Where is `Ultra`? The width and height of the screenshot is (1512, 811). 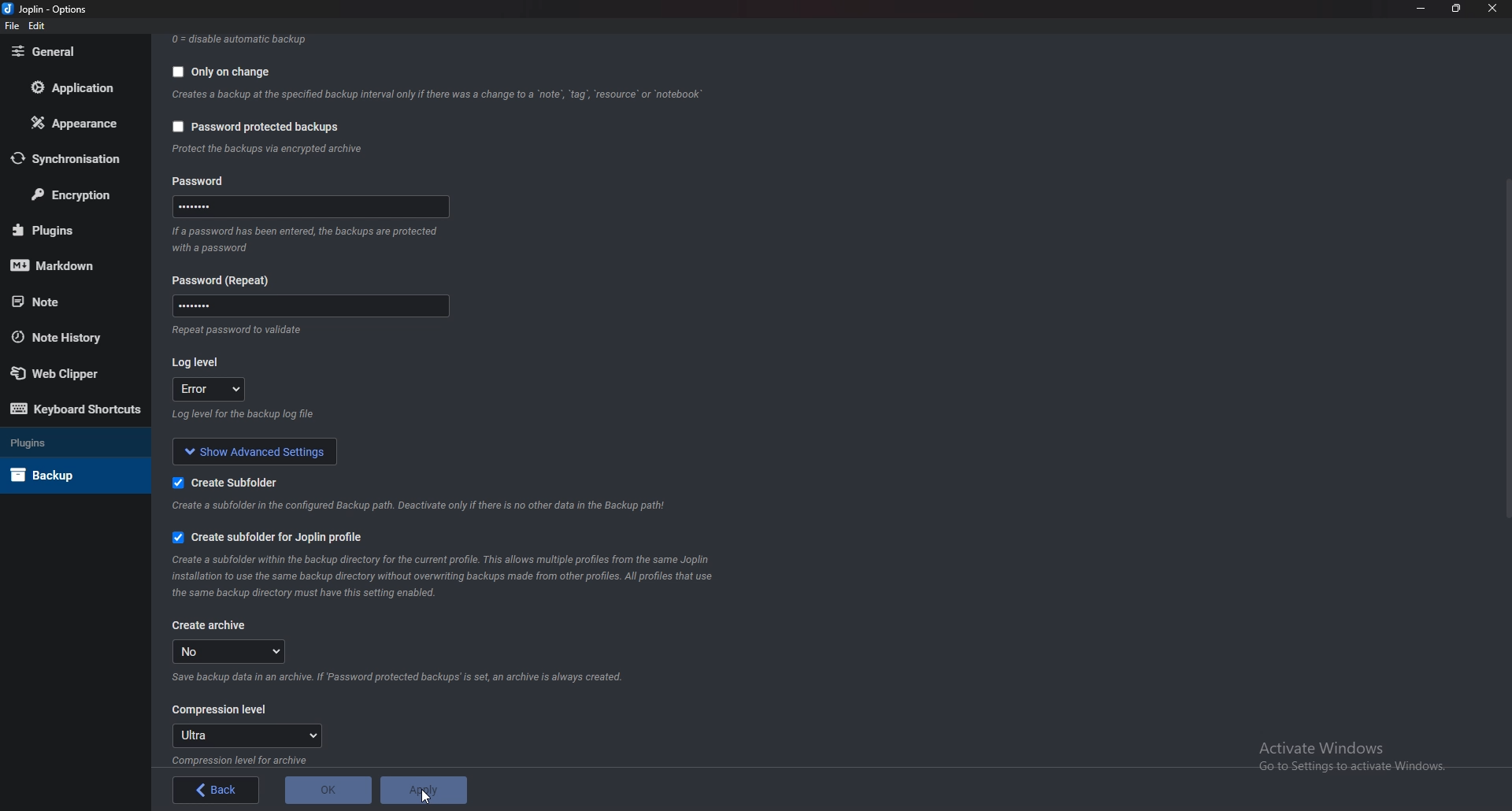
Ultra is located at coordinates (248, 735).